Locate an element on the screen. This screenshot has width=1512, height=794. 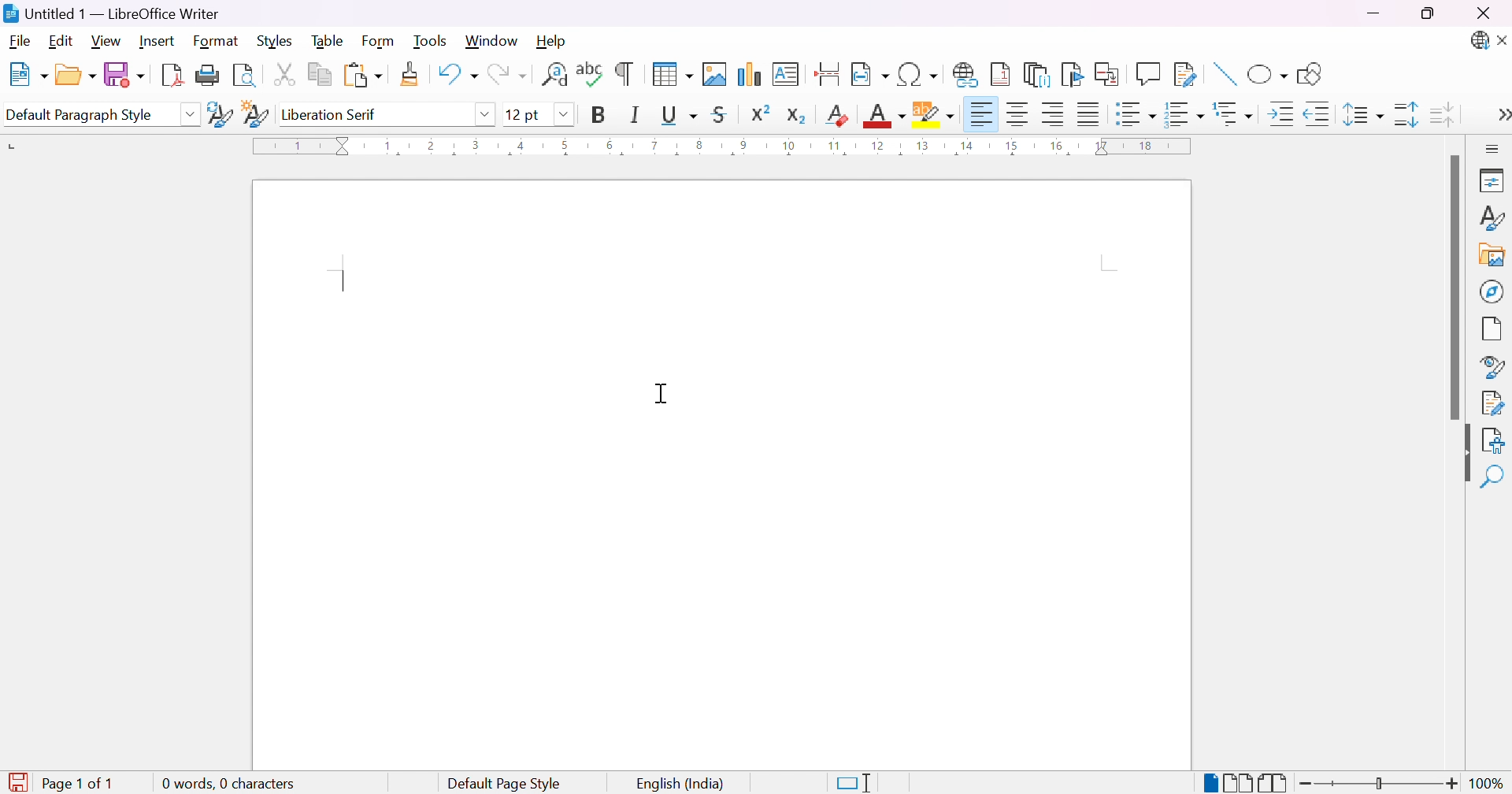
Close is located at coordinates (1503, 42).